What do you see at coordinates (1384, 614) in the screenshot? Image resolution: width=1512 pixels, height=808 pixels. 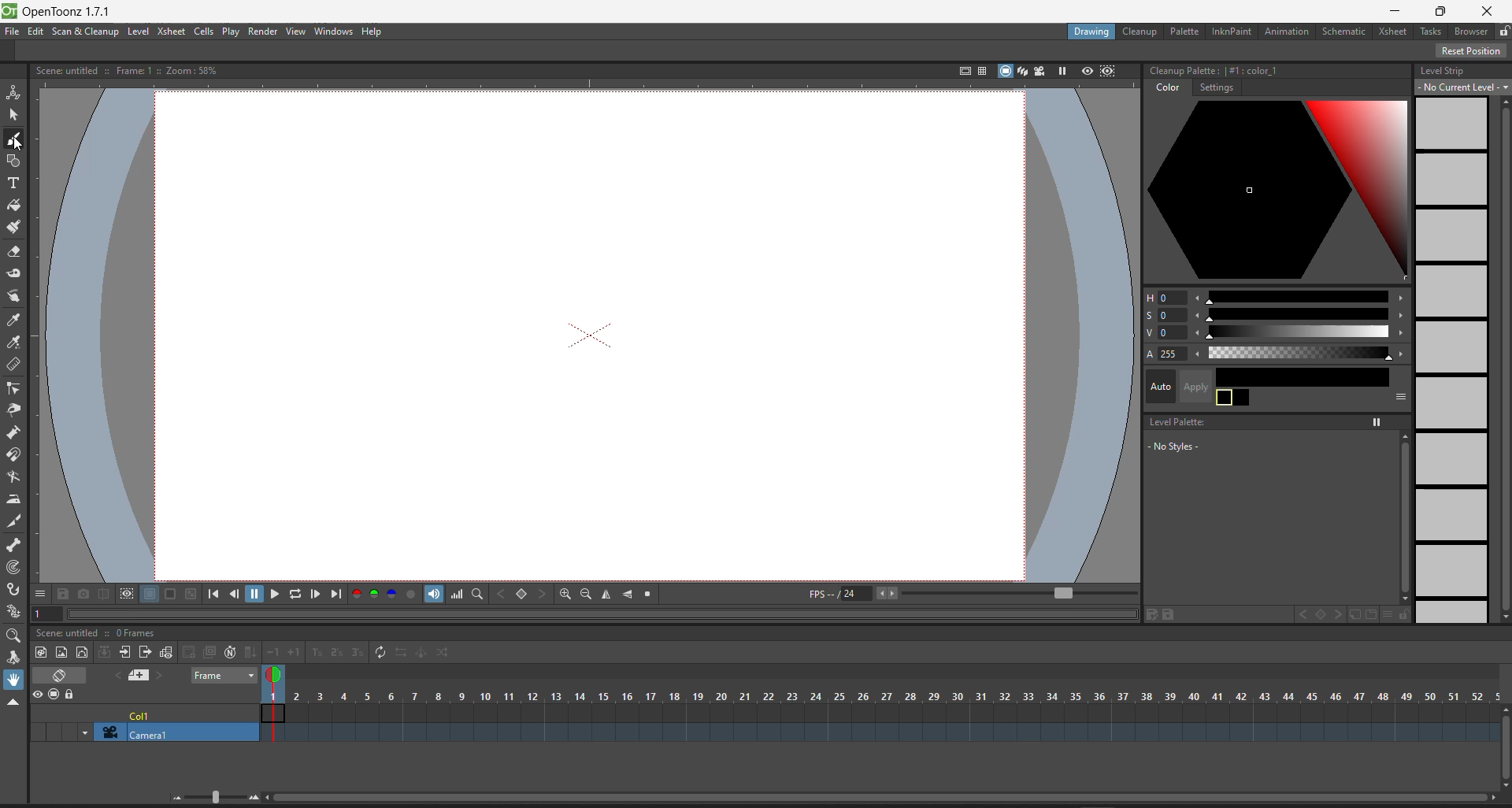 I see `more option` at bounding box center [1384, 614].